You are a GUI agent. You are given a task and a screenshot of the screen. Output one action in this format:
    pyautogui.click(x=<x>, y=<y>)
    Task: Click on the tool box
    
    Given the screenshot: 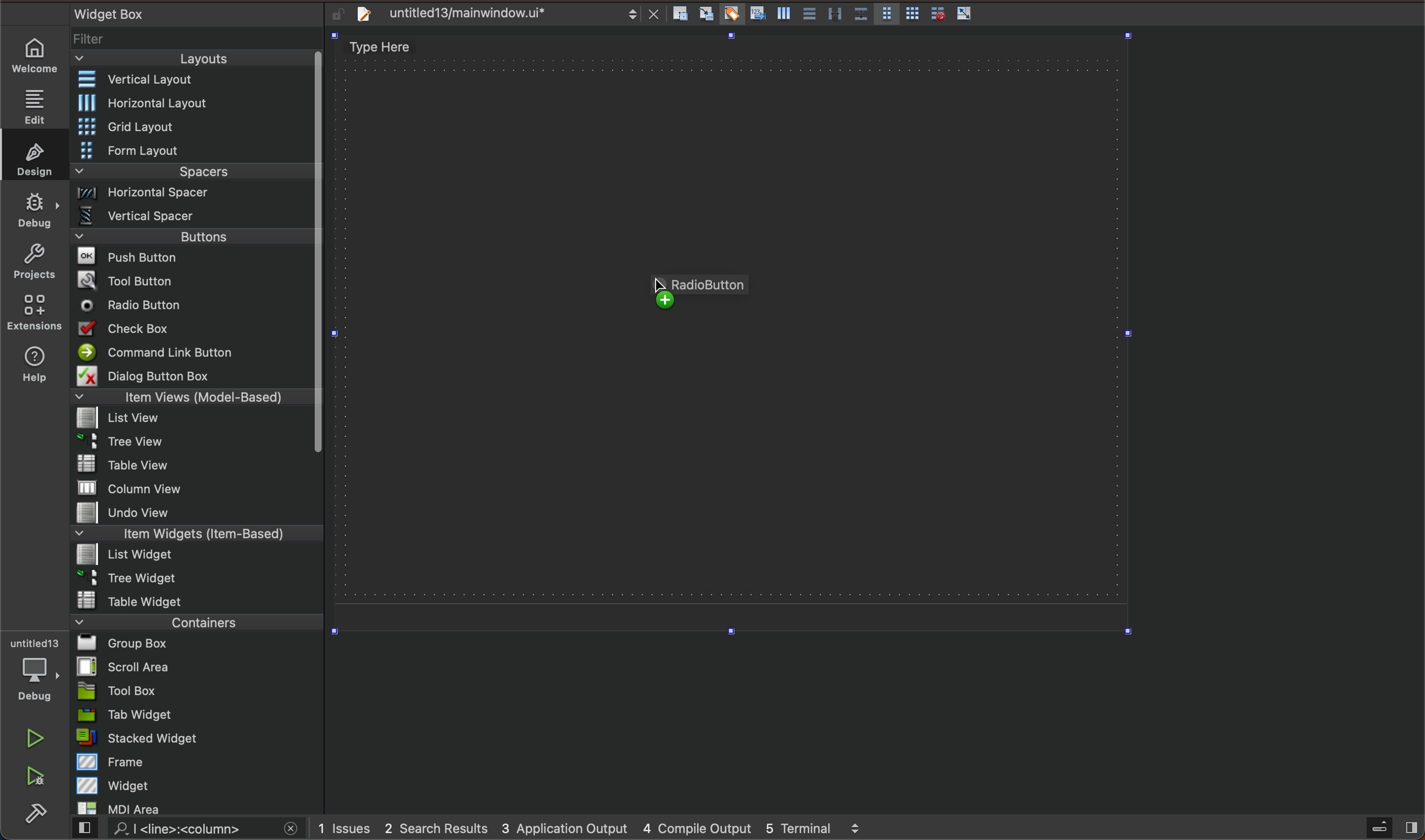 What is the action you would take?
    pyautogui.click(x=197, y=691)
    